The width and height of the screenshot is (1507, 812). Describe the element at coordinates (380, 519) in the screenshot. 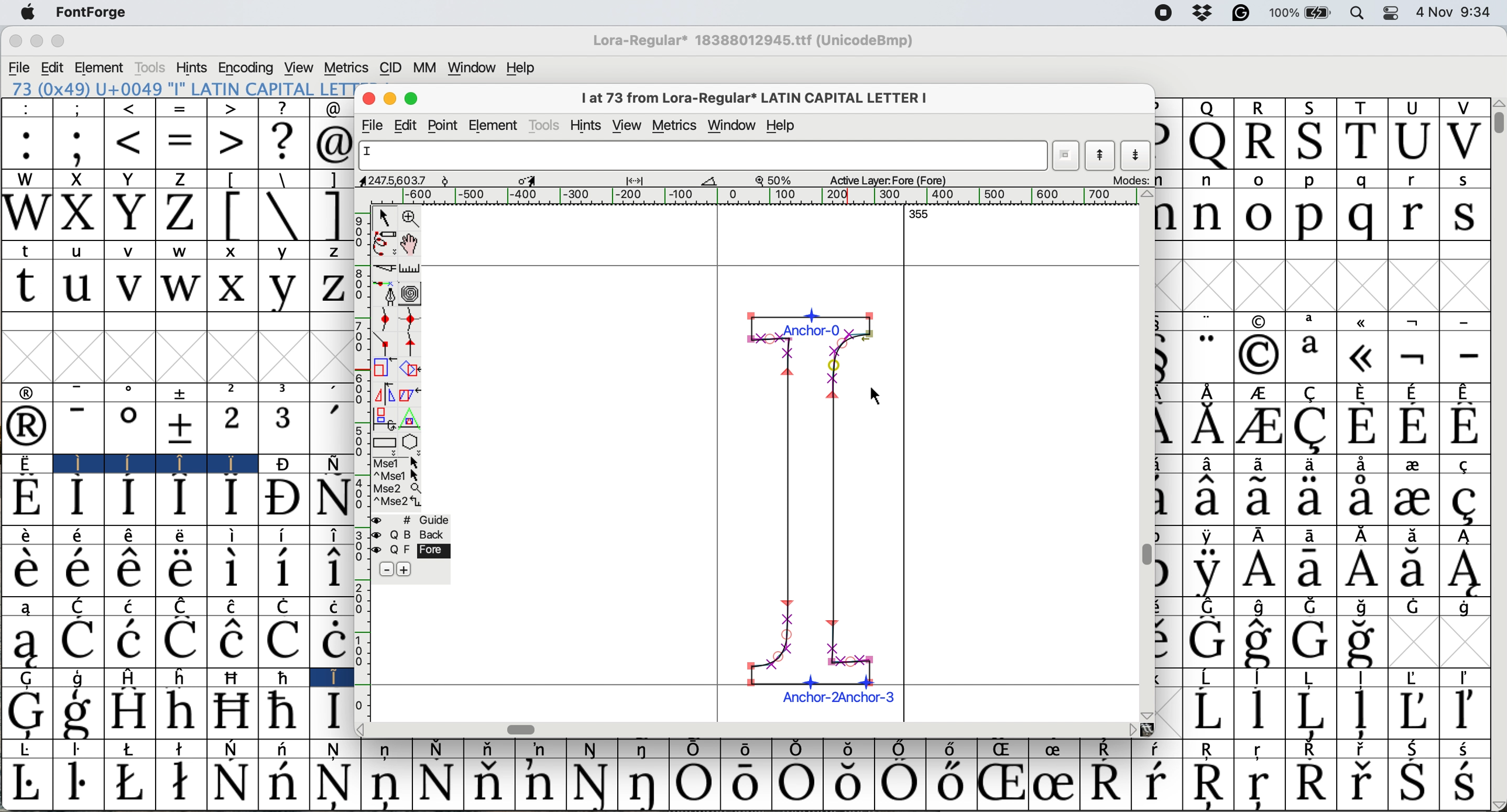

I see `` at that location.